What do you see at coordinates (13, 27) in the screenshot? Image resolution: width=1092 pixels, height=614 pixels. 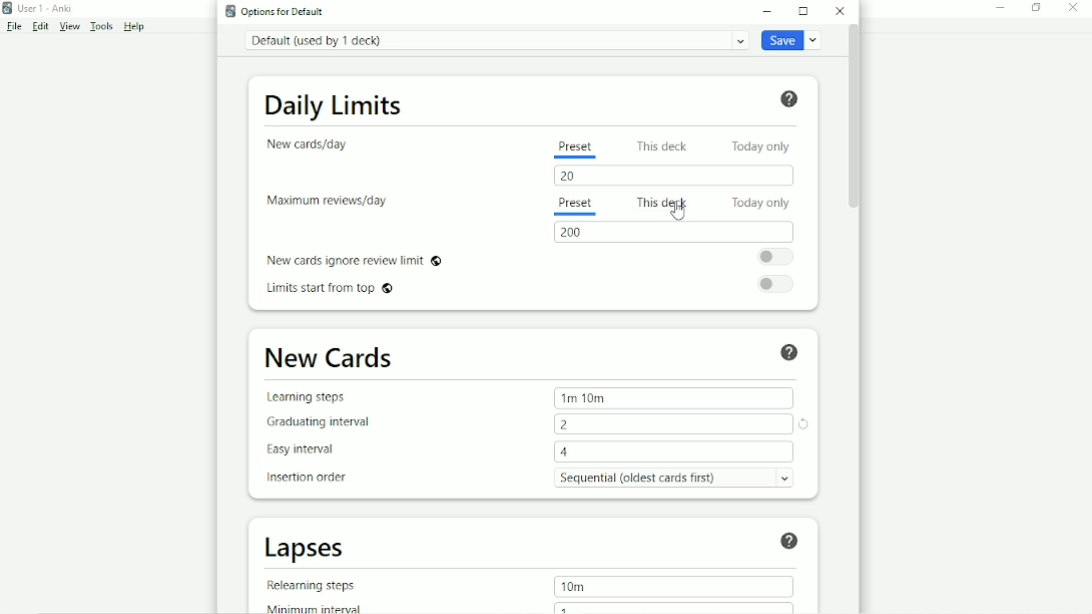 I see `File` at bounding box center [13, 27].